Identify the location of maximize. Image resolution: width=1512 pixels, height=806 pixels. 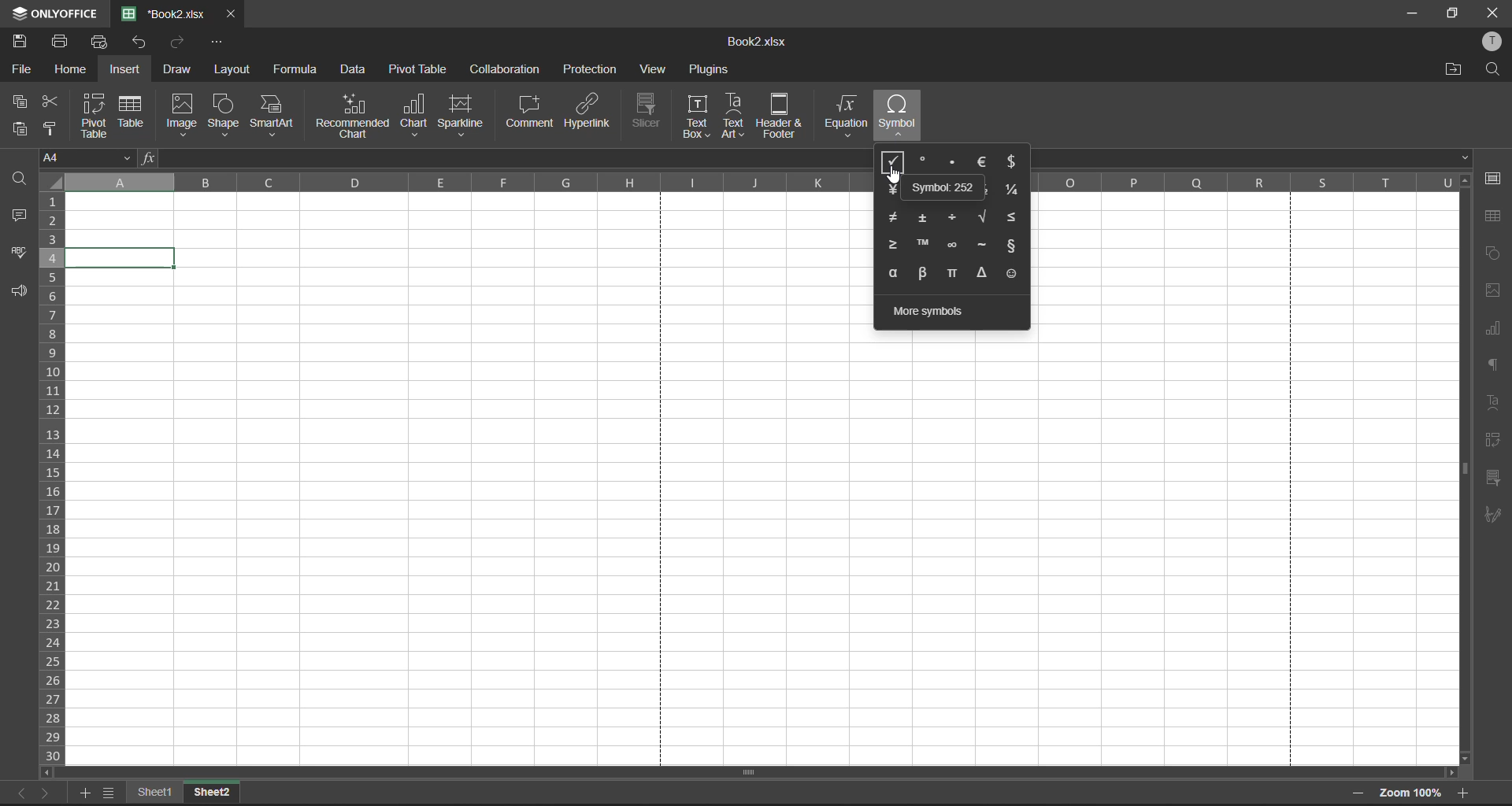
(1455, 15).